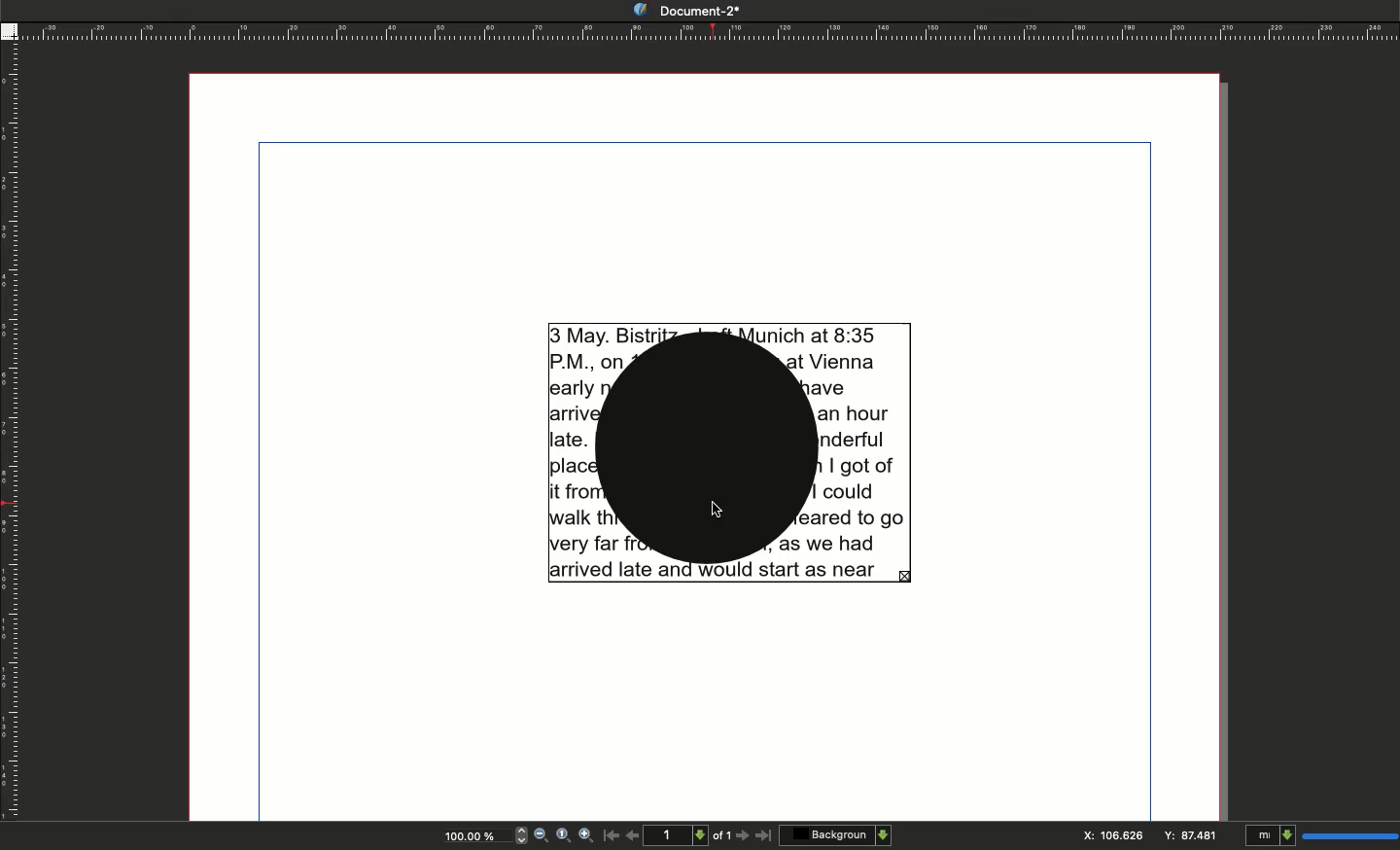 The width and height of the screenshot is (1400, 850). Describe the element at coordinates (563, 837) in the screenshot. I see `Zoom` at that location.